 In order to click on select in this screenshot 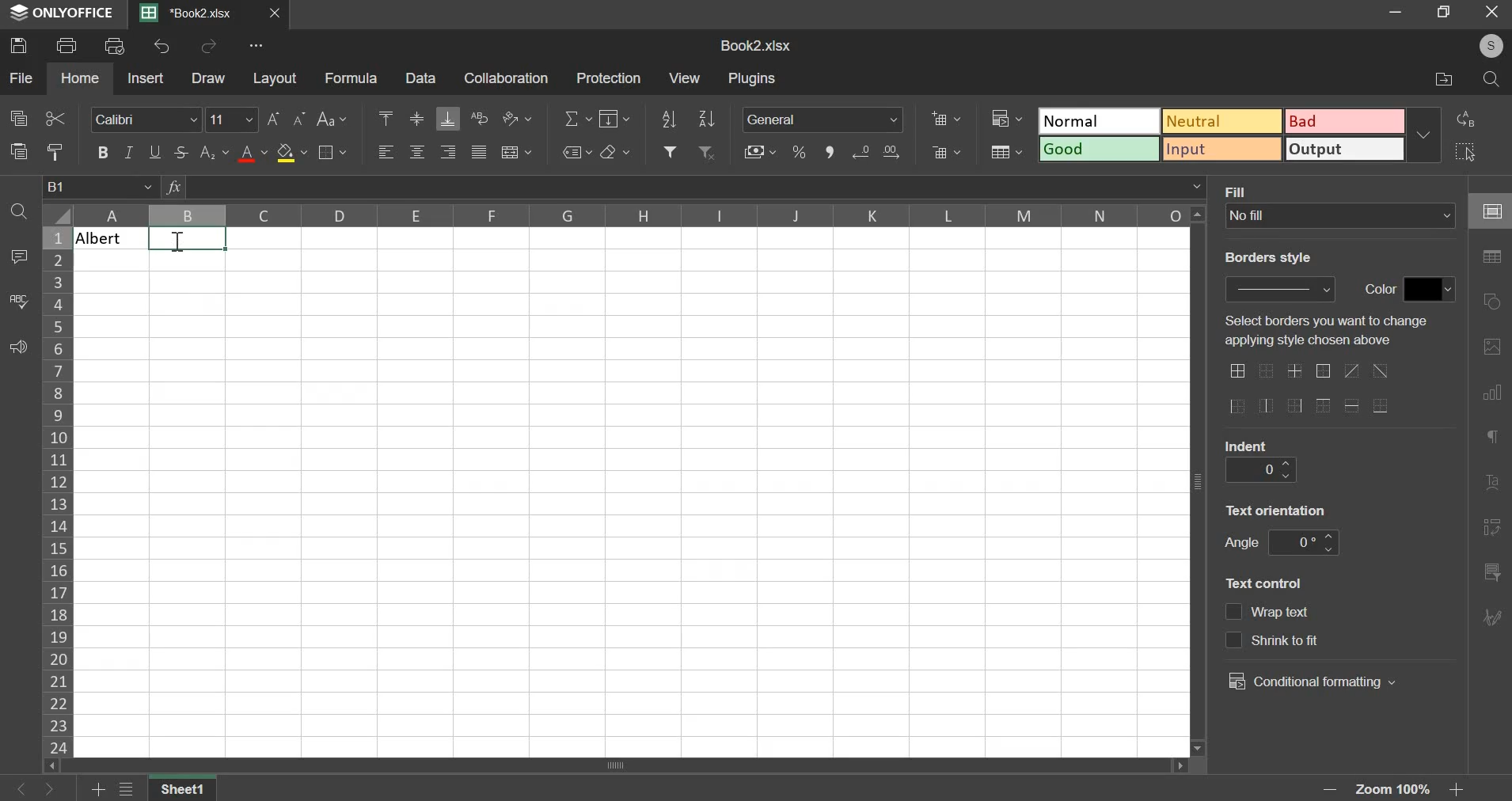, I will do `click(1464, 152)`.